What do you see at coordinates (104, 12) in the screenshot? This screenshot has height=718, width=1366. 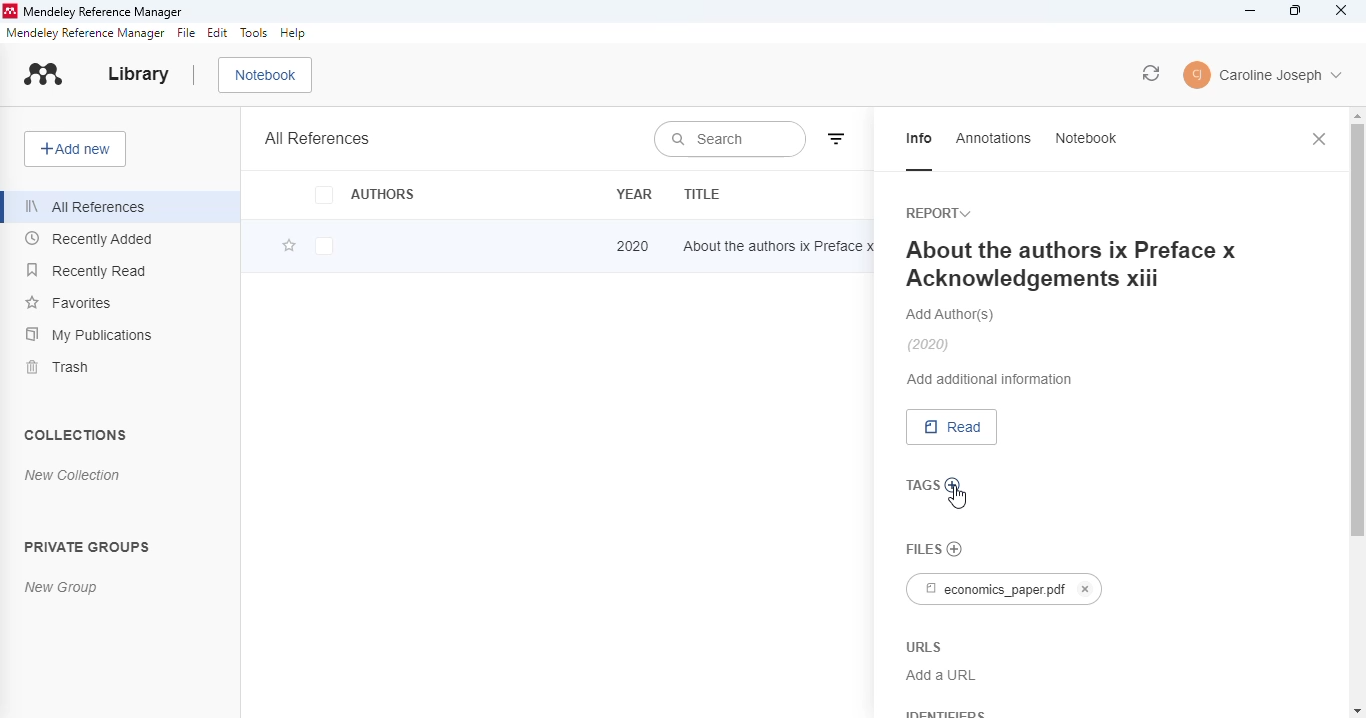 I see `mendeley reference manager` at bounding box center [104, 12].